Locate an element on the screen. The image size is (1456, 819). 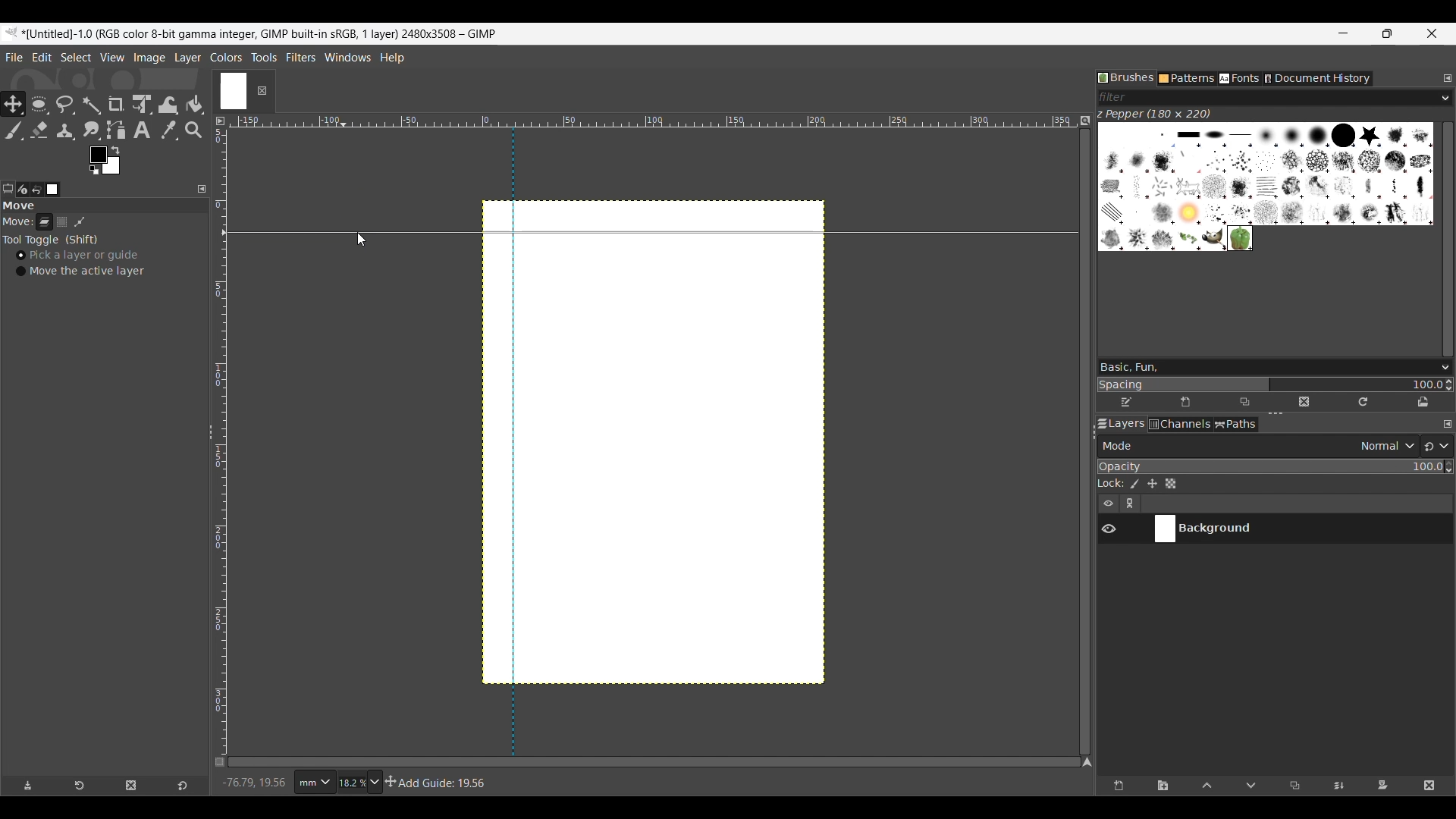
Select menu is located at coordinates (76, 57).